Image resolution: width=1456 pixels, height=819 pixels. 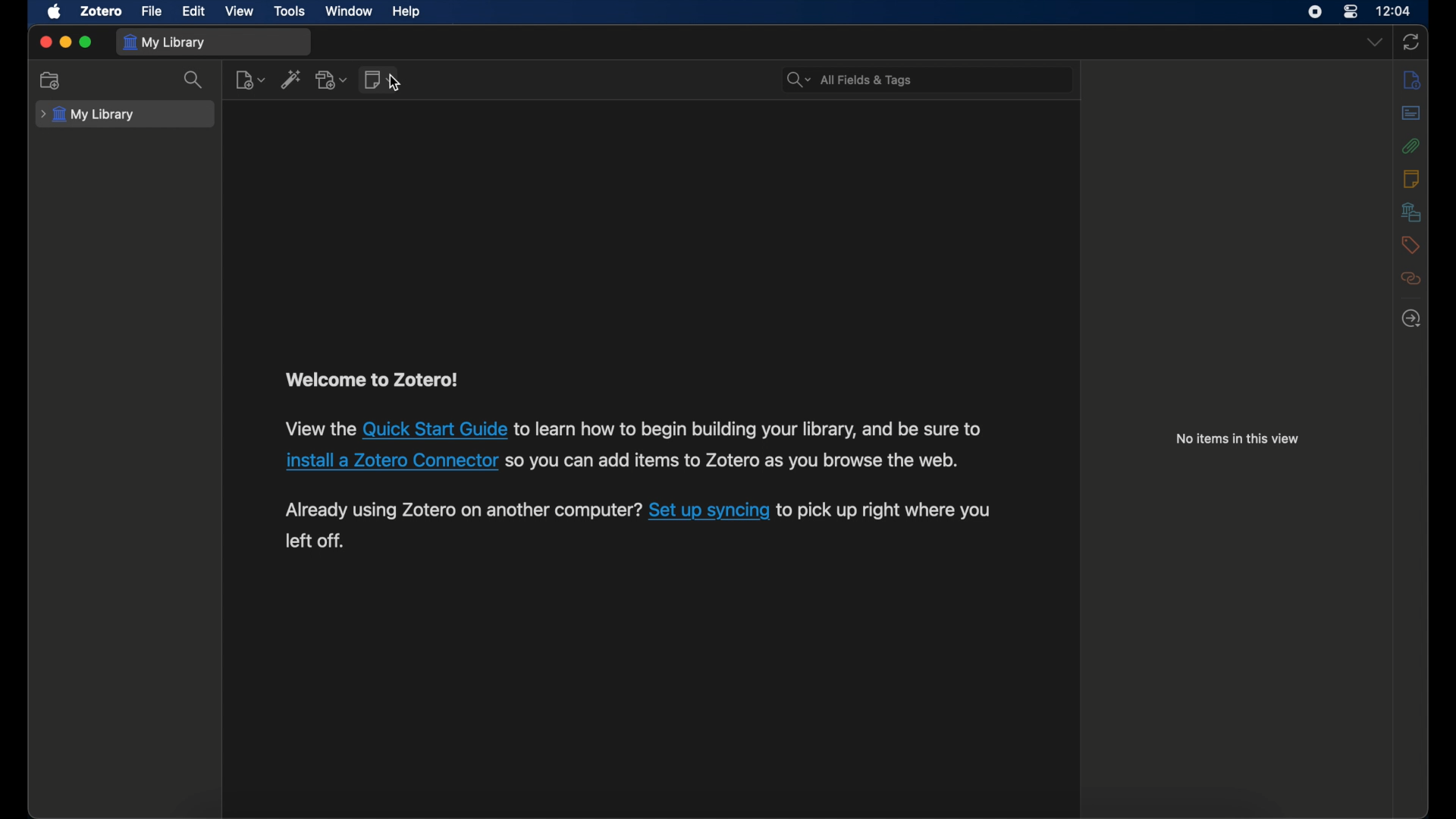 What do you see at coordinates (50, 81) in the screenshot?
I see `add collections` at bounding box center [50, 81].